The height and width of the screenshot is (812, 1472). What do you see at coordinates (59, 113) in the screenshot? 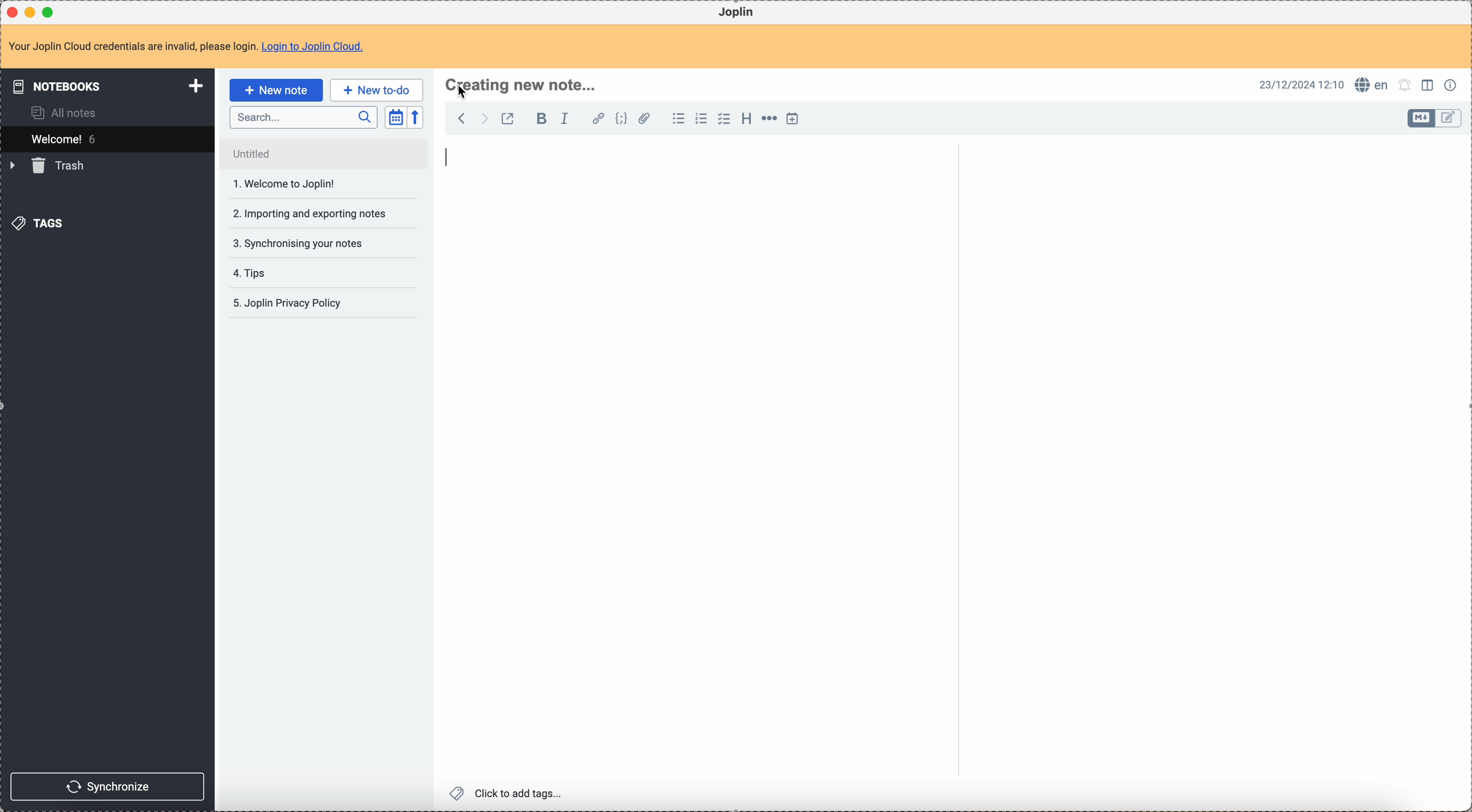
I see `all notes` at bounding box center [59, 113].